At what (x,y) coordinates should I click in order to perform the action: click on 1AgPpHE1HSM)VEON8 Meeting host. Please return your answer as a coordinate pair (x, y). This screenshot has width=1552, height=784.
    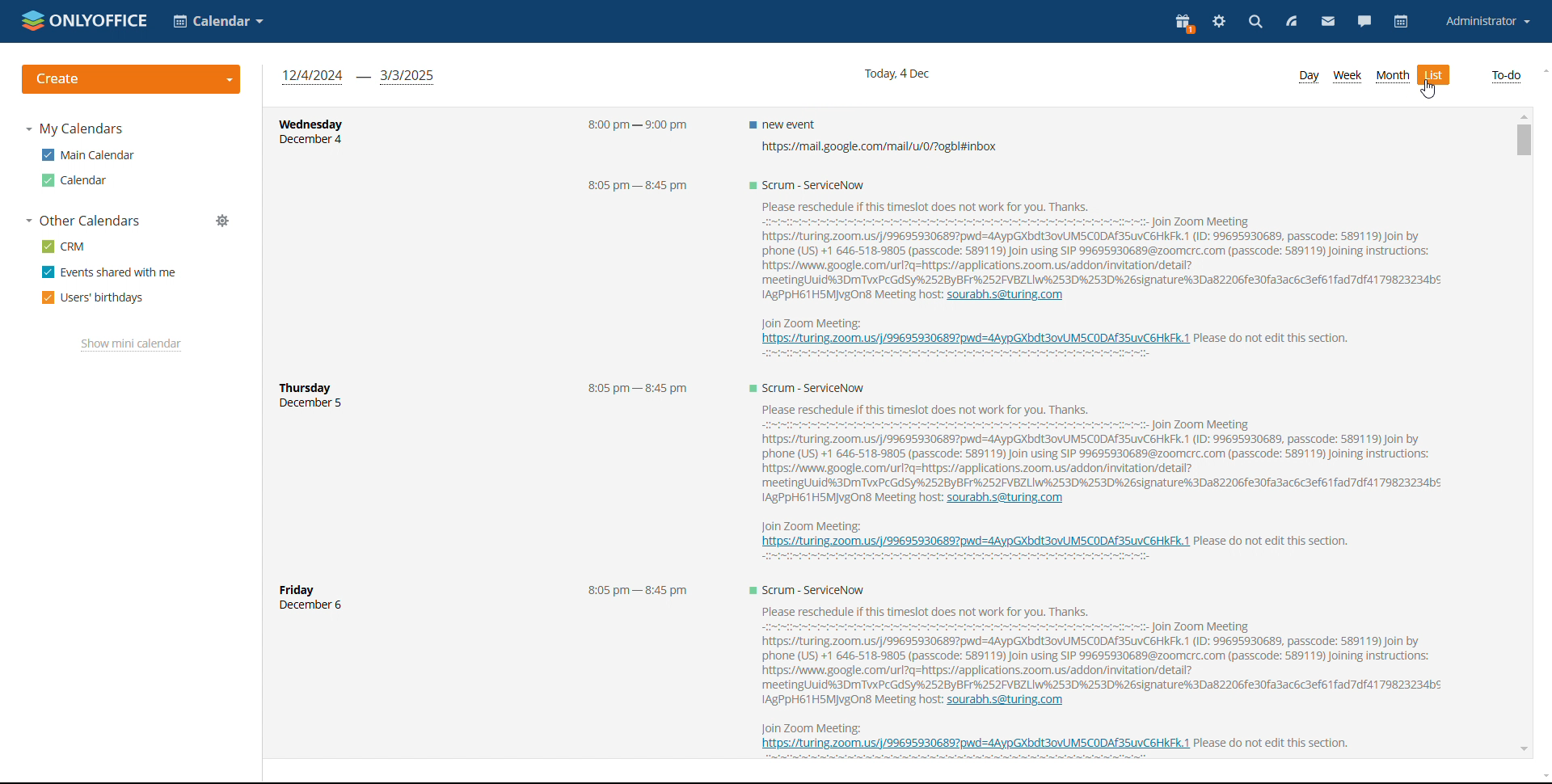
    Looking at the image, I should click on (841, 701).